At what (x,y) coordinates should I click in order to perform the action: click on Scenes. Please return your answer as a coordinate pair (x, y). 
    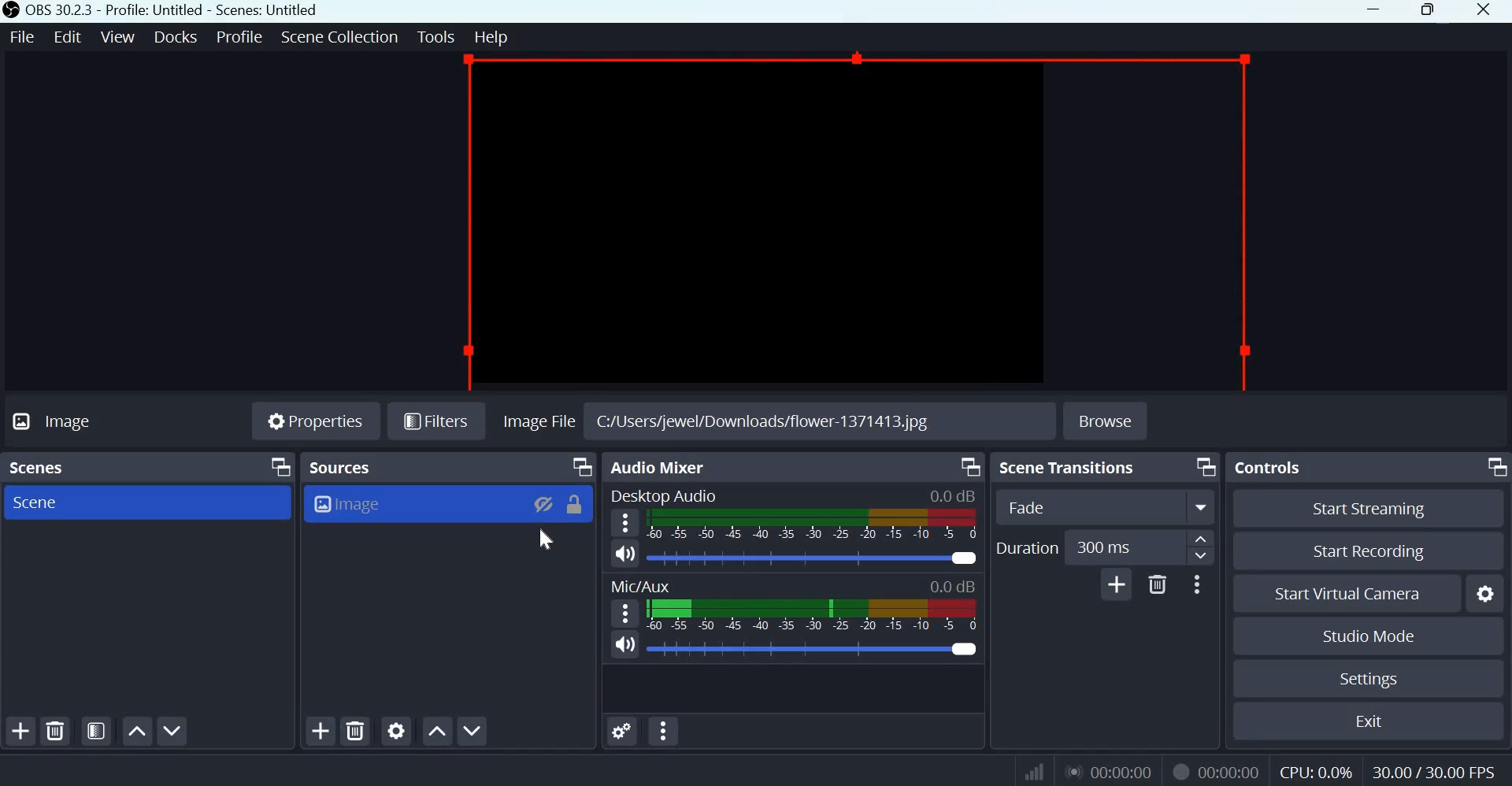
    Looking at the image, I should click on (77, 469).